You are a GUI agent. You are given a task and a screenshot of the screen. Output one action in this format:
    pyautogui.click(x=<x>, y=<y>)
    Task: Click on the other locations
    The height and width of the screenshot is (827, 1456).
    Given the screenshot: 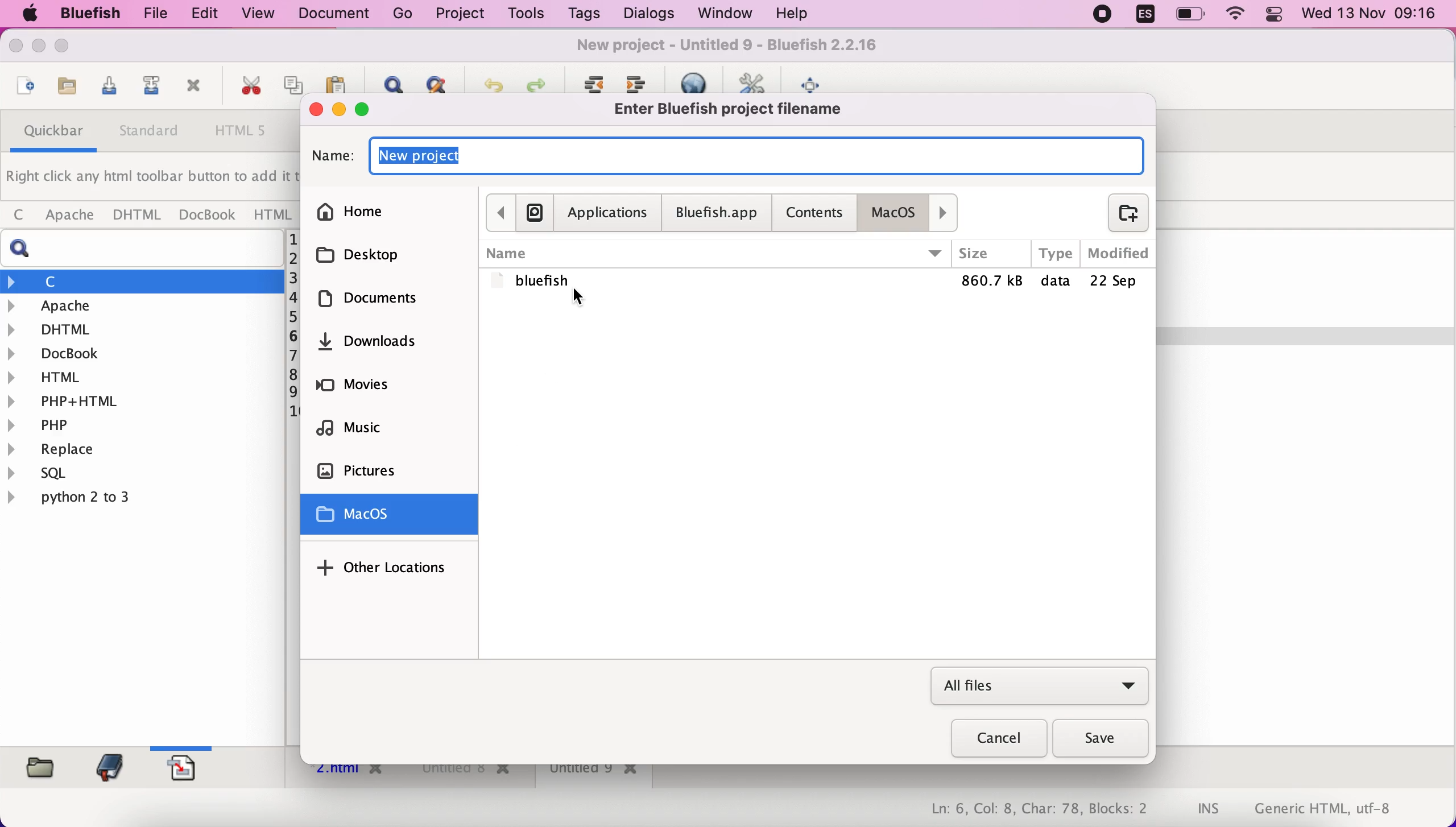 What is the action you would take?
    pyautogui.click(x=386, y=567)
    